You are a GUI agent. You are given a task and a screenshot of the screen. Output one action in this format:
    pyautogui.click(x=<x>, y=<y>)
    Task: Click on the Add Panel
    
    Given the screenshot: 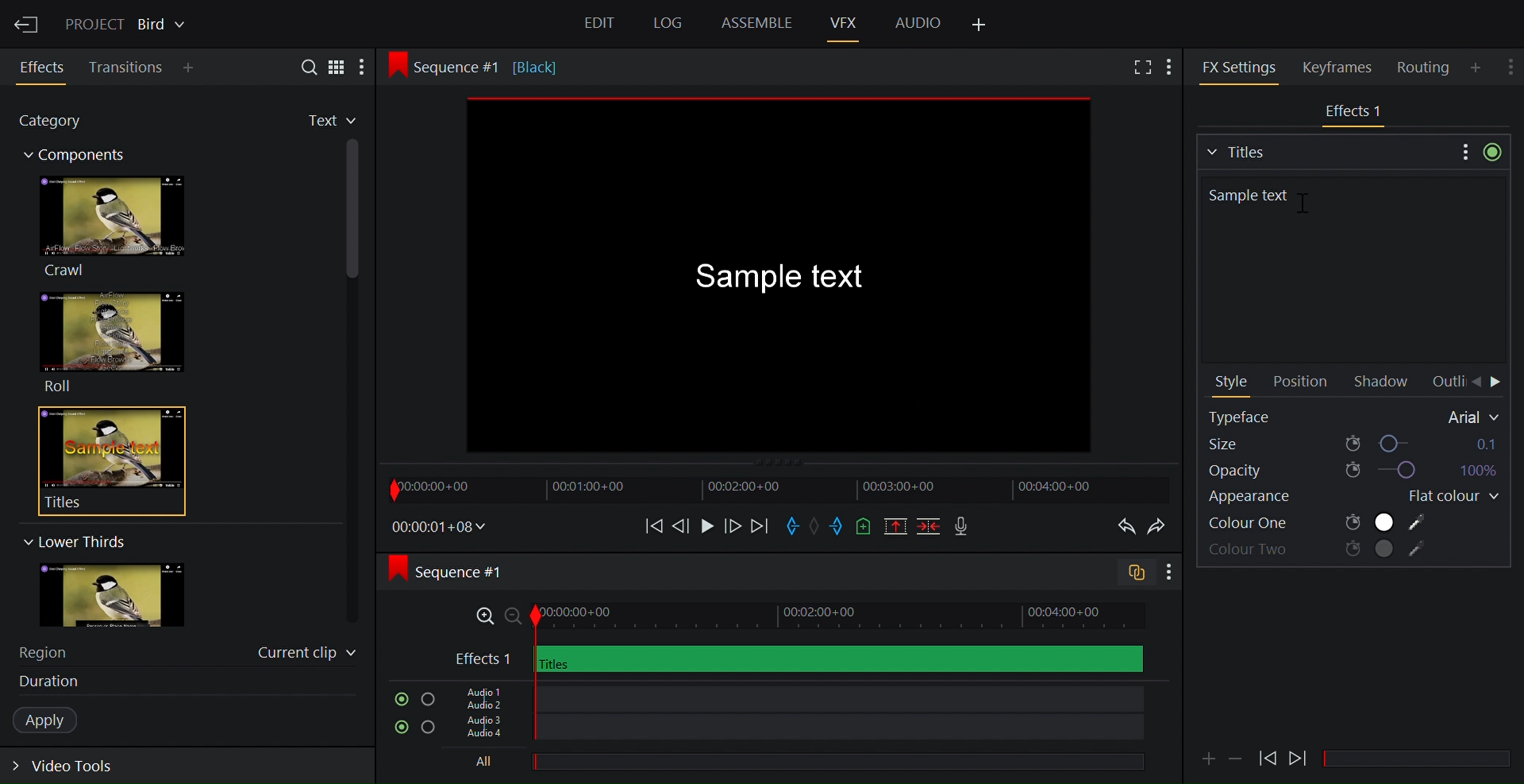 What is the action you would take?
    pyautogui.click(x=1478, y=67)
    